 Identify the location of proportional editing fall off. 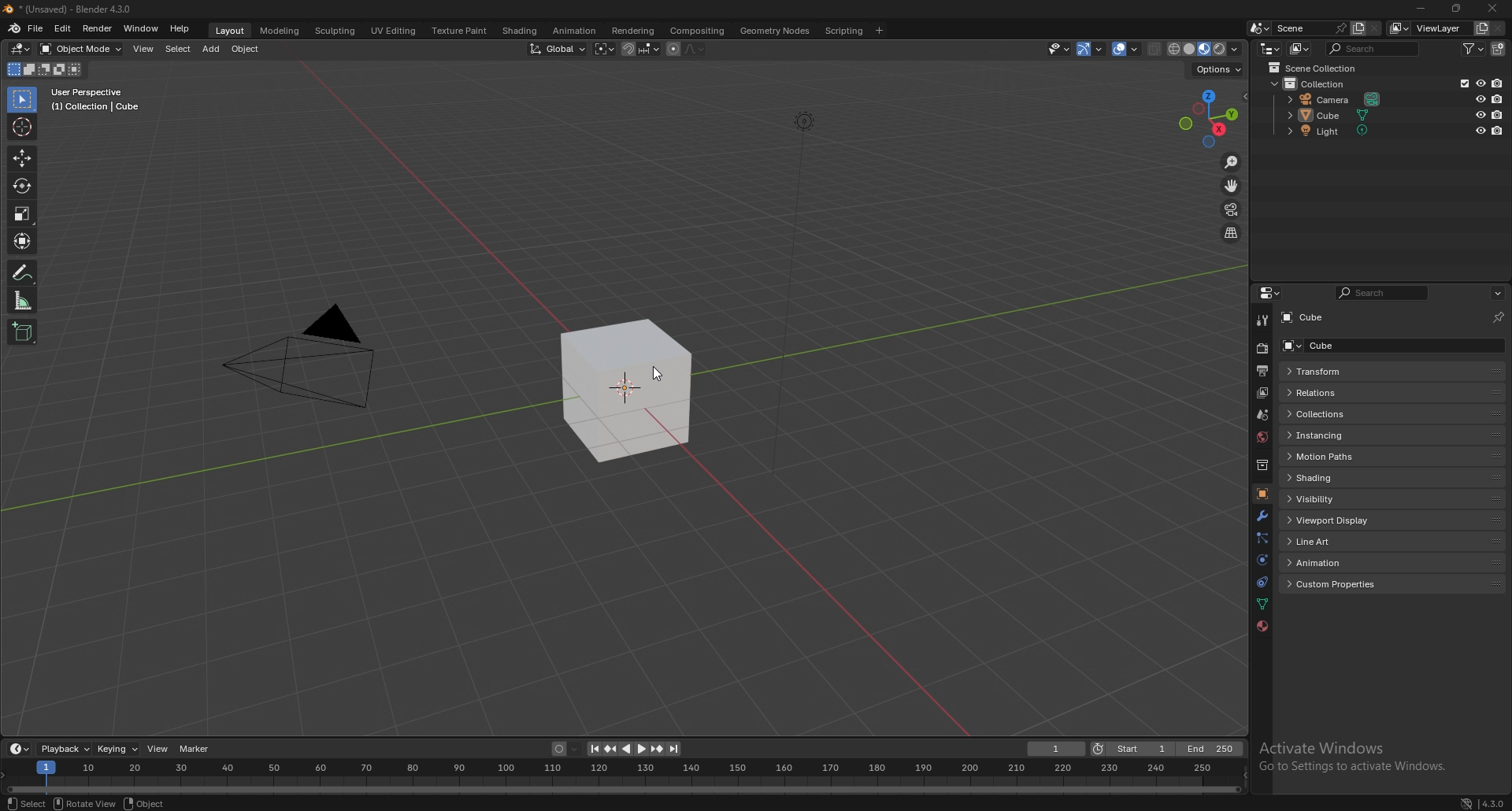
(695, 50).